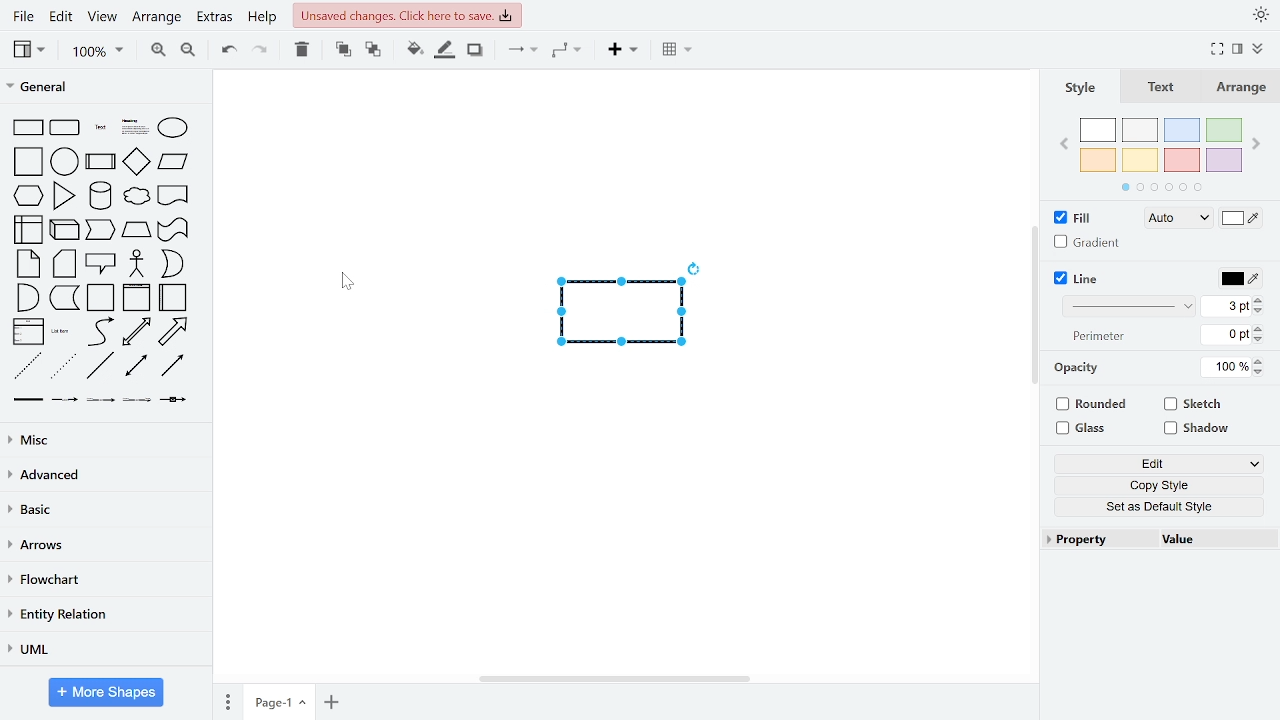 This screenshot has height=720, width=1280. I want to click on advanced, so click(102, 475).